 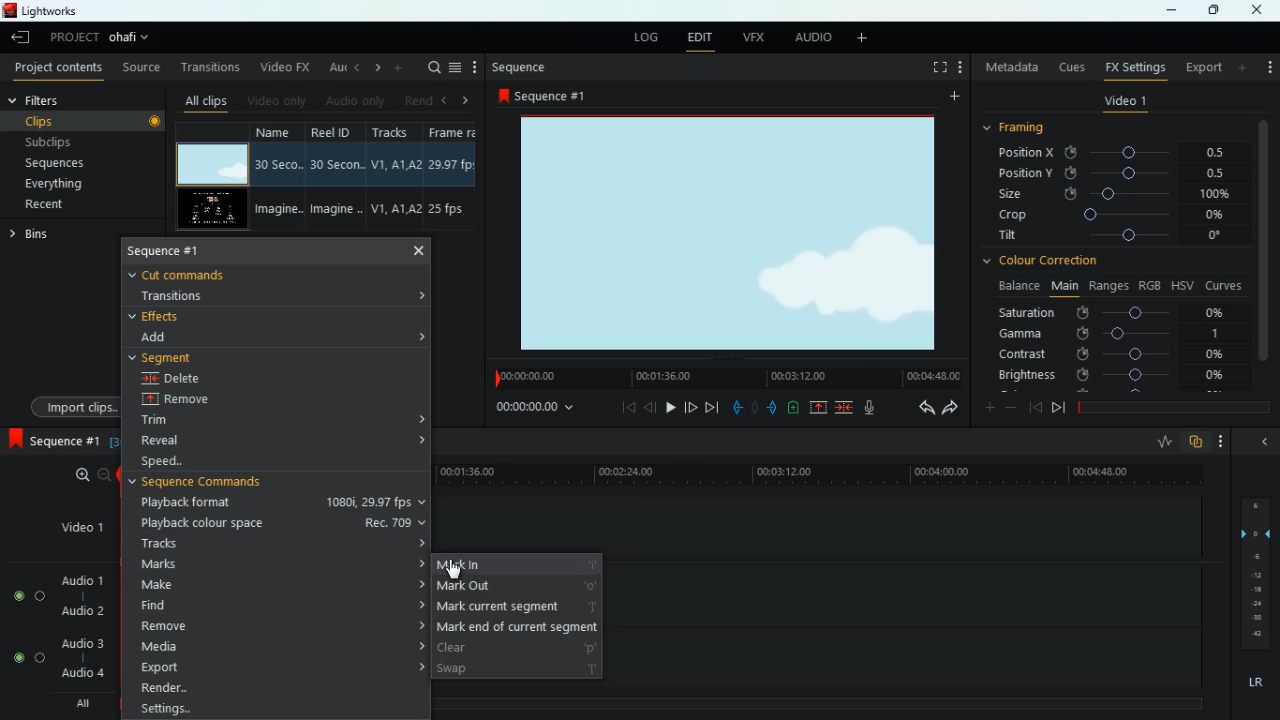 I want to click on video 1, so click(x=79, y=526).